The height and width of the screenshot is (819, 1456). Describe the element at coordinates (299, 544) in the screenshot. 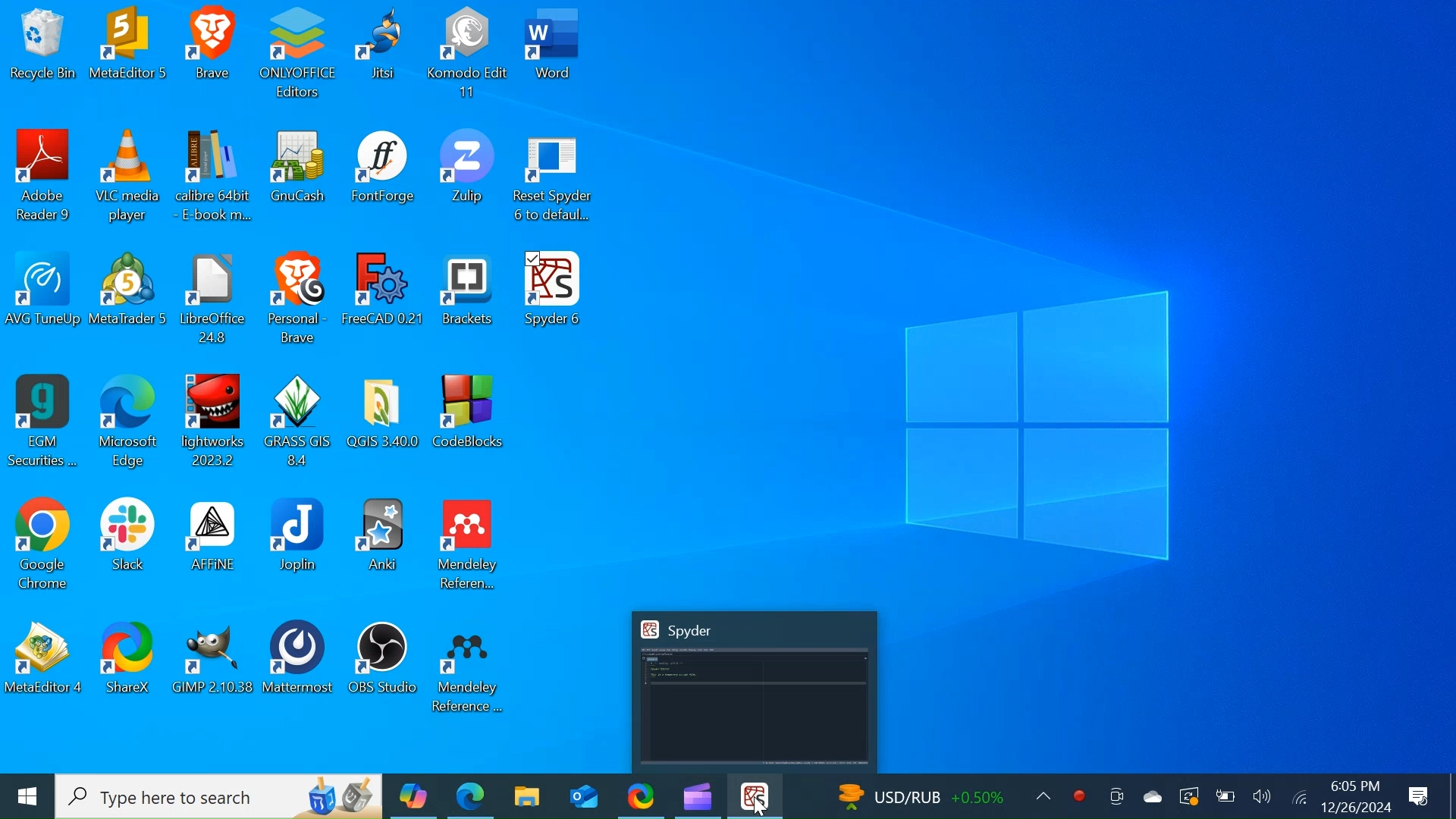

I see `Joplin` at that location.